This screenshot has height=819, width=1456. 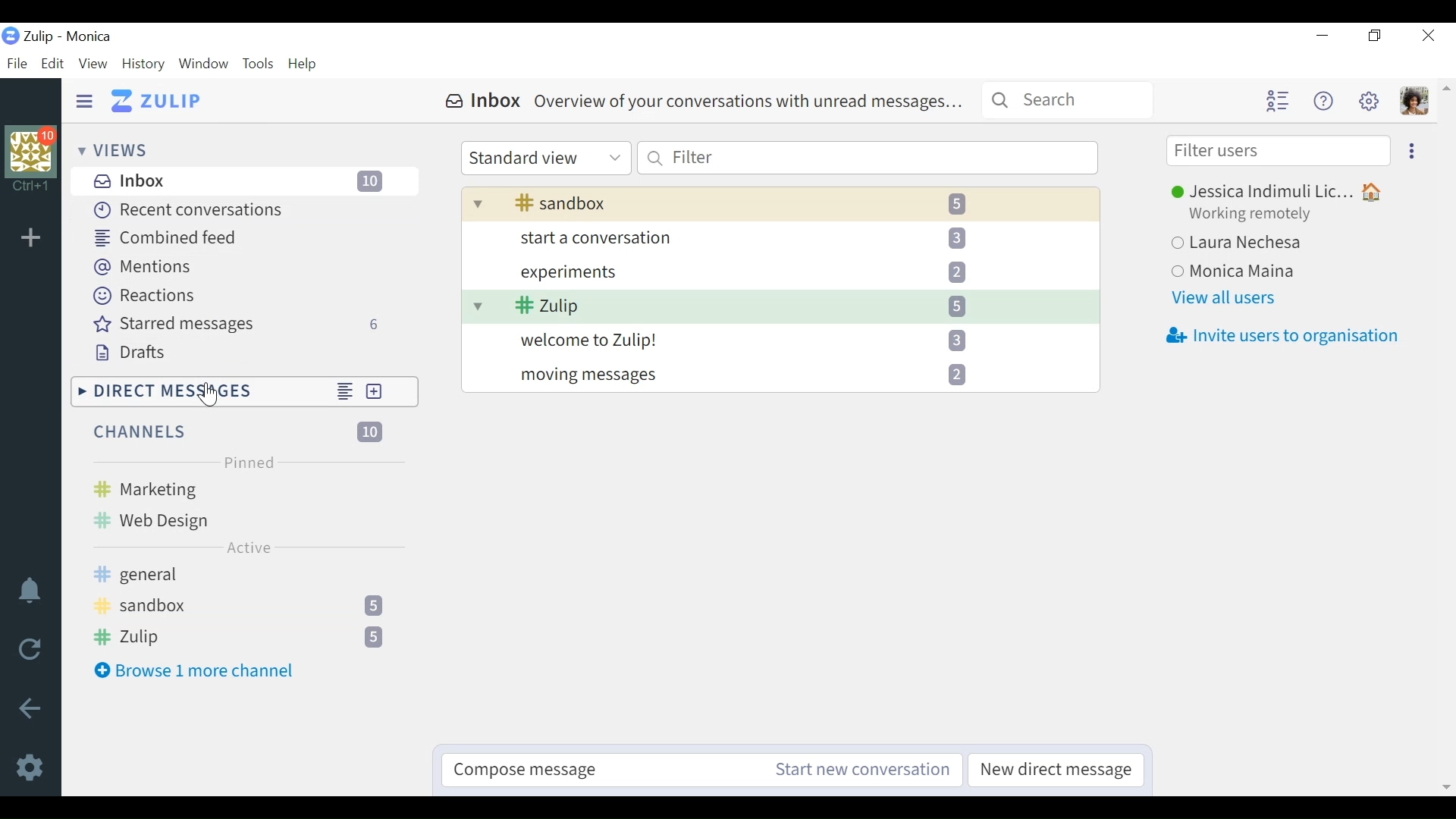 I want to click on Edit, so click(x=52, y=65).